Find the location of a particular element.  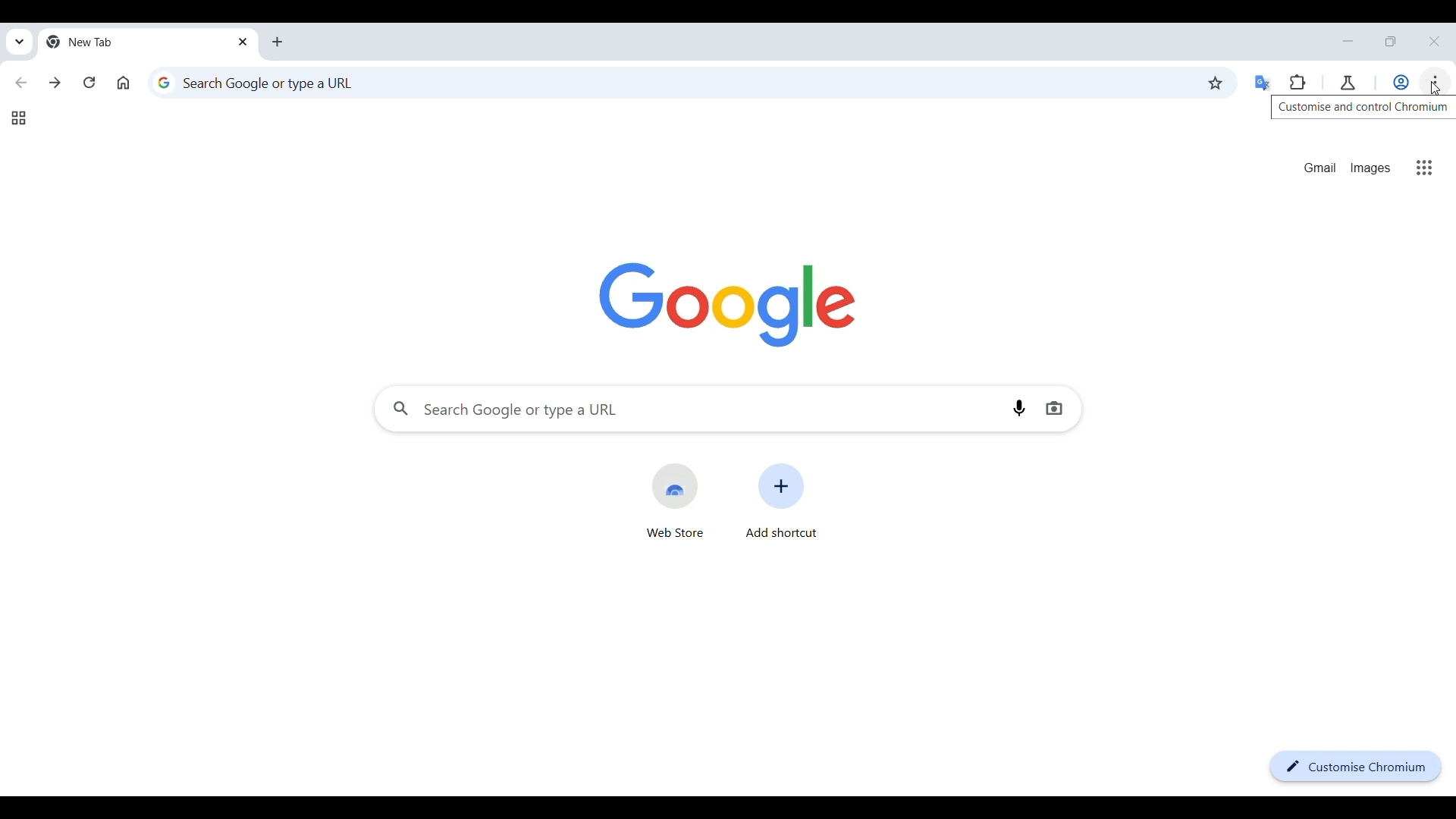

Extensions is located at coordinates (1298, 83).